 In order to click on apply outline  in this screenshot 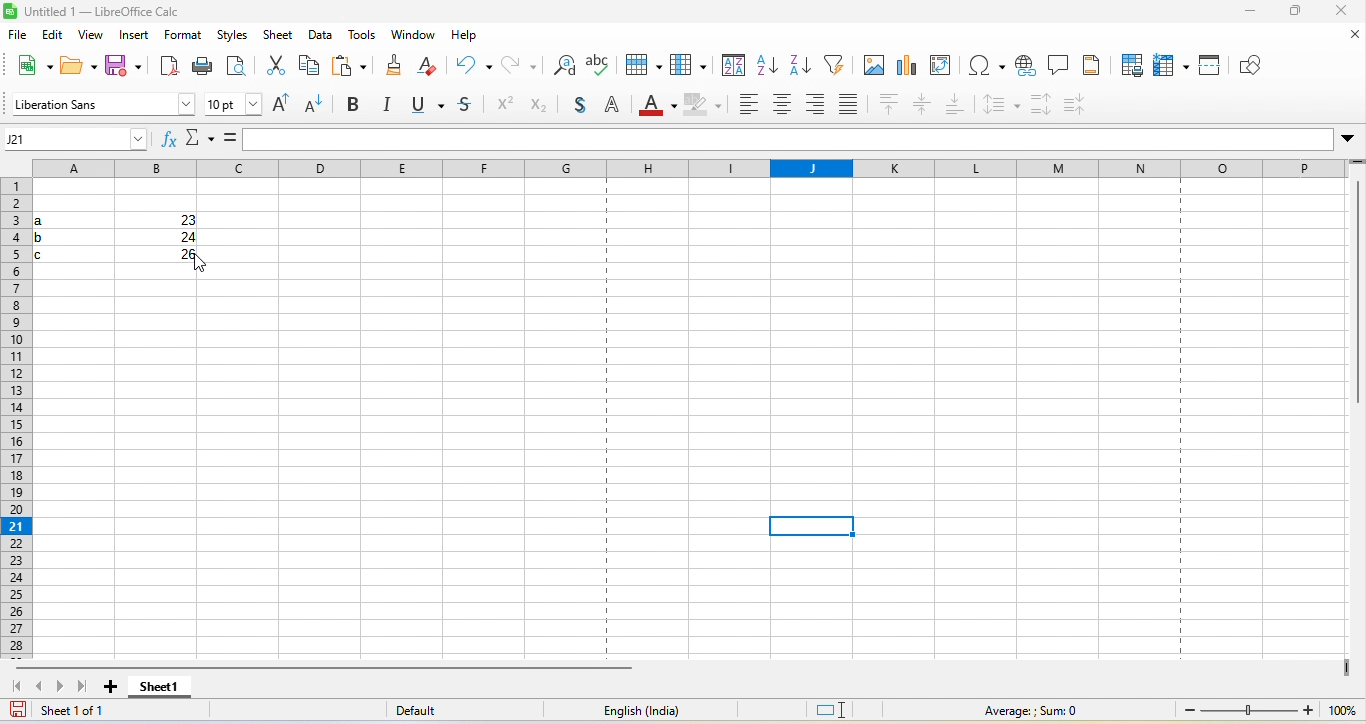, I will do `click(612, 105)`.